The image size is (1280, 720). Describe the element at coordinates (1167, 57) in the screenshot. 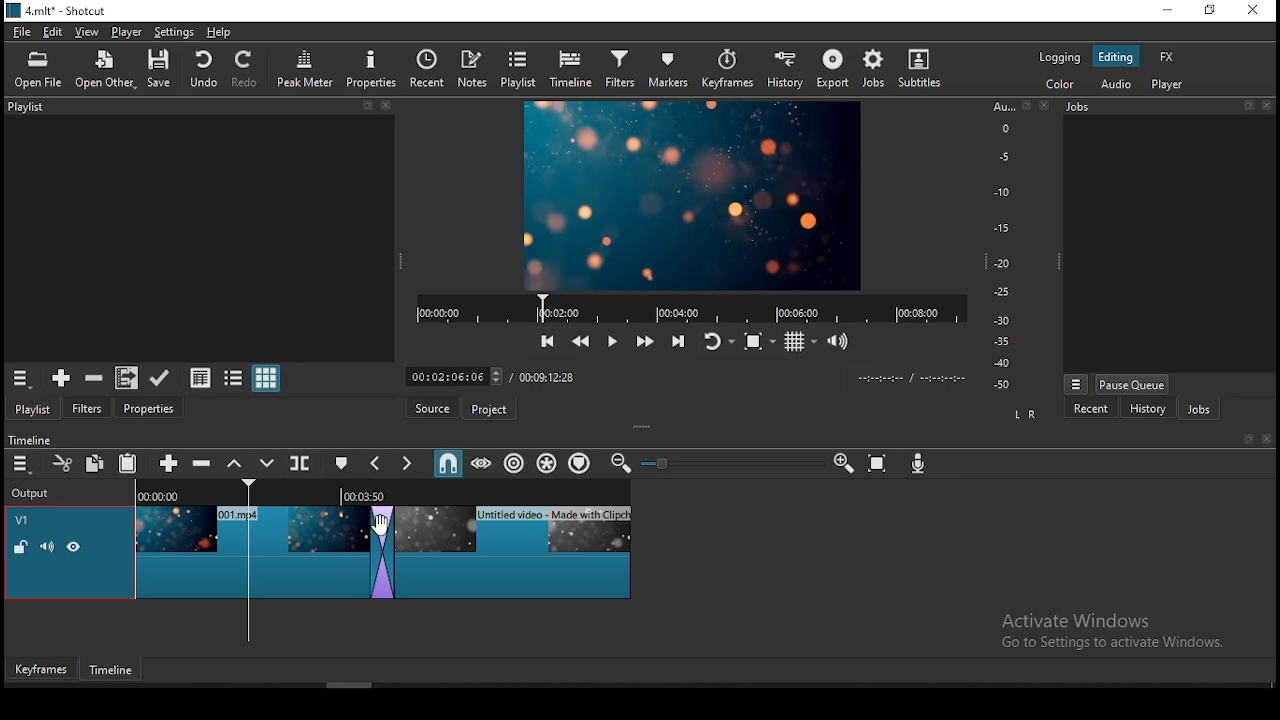

I see `fx` at that location.